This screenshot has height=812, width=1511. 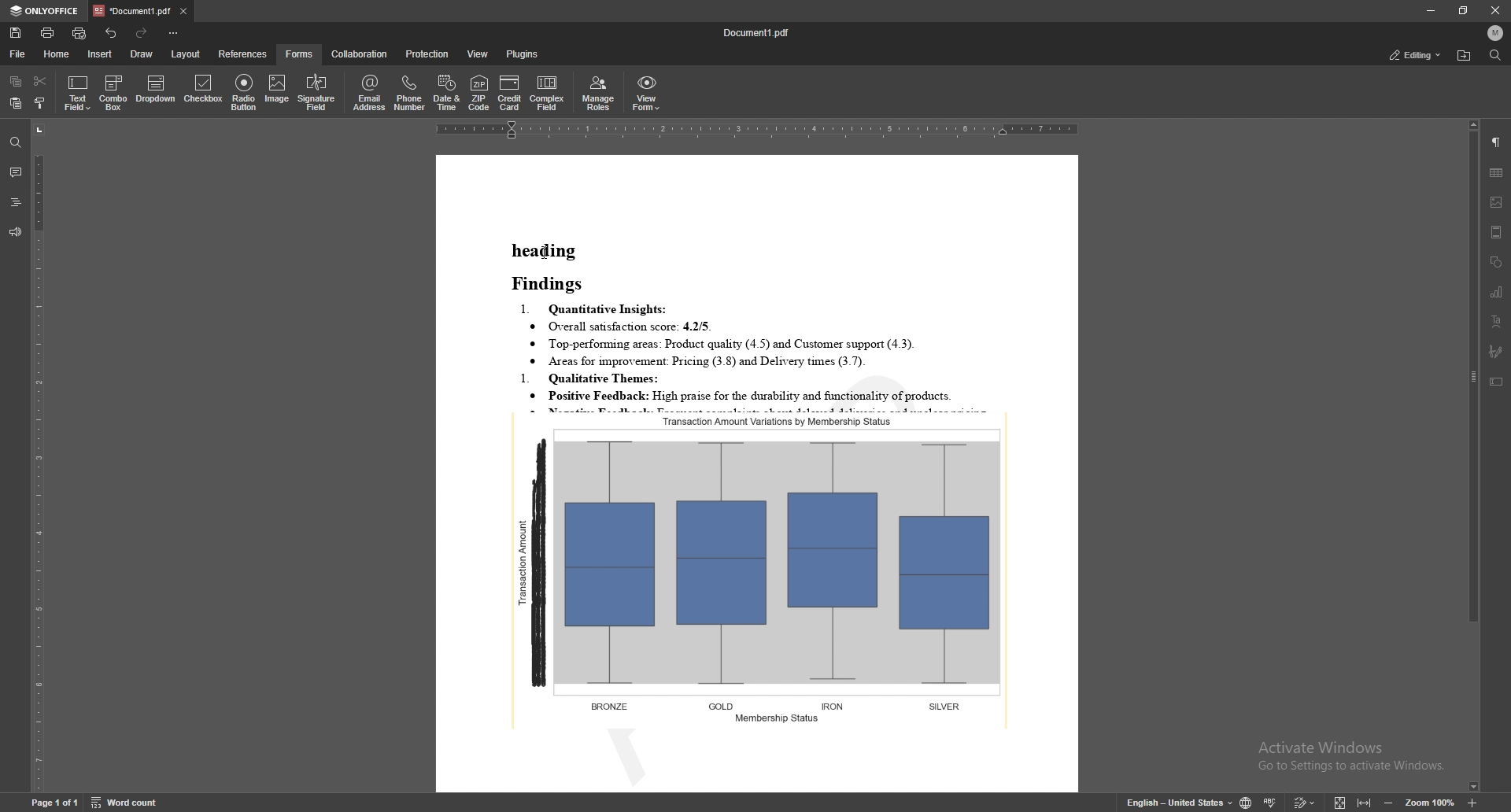 I want to click on customize toolbar, so click(x=175, y=34).